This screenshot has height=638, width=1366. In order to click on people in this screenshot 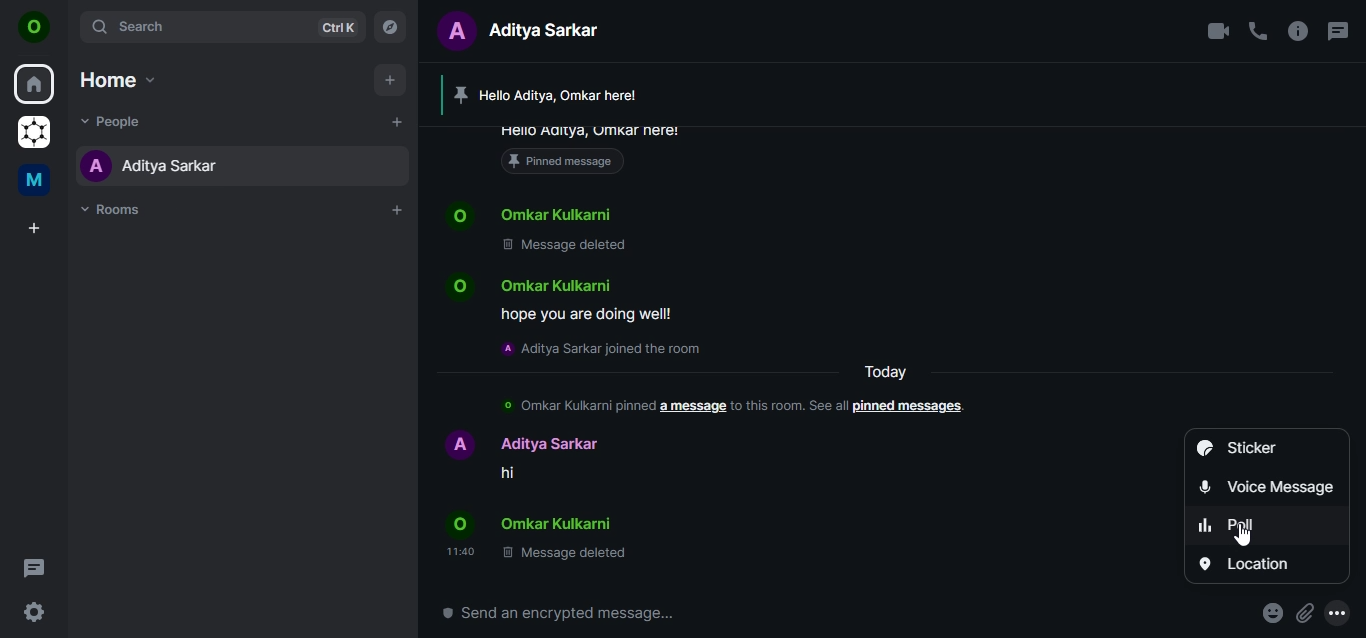, I will do `click(118, 120)`.